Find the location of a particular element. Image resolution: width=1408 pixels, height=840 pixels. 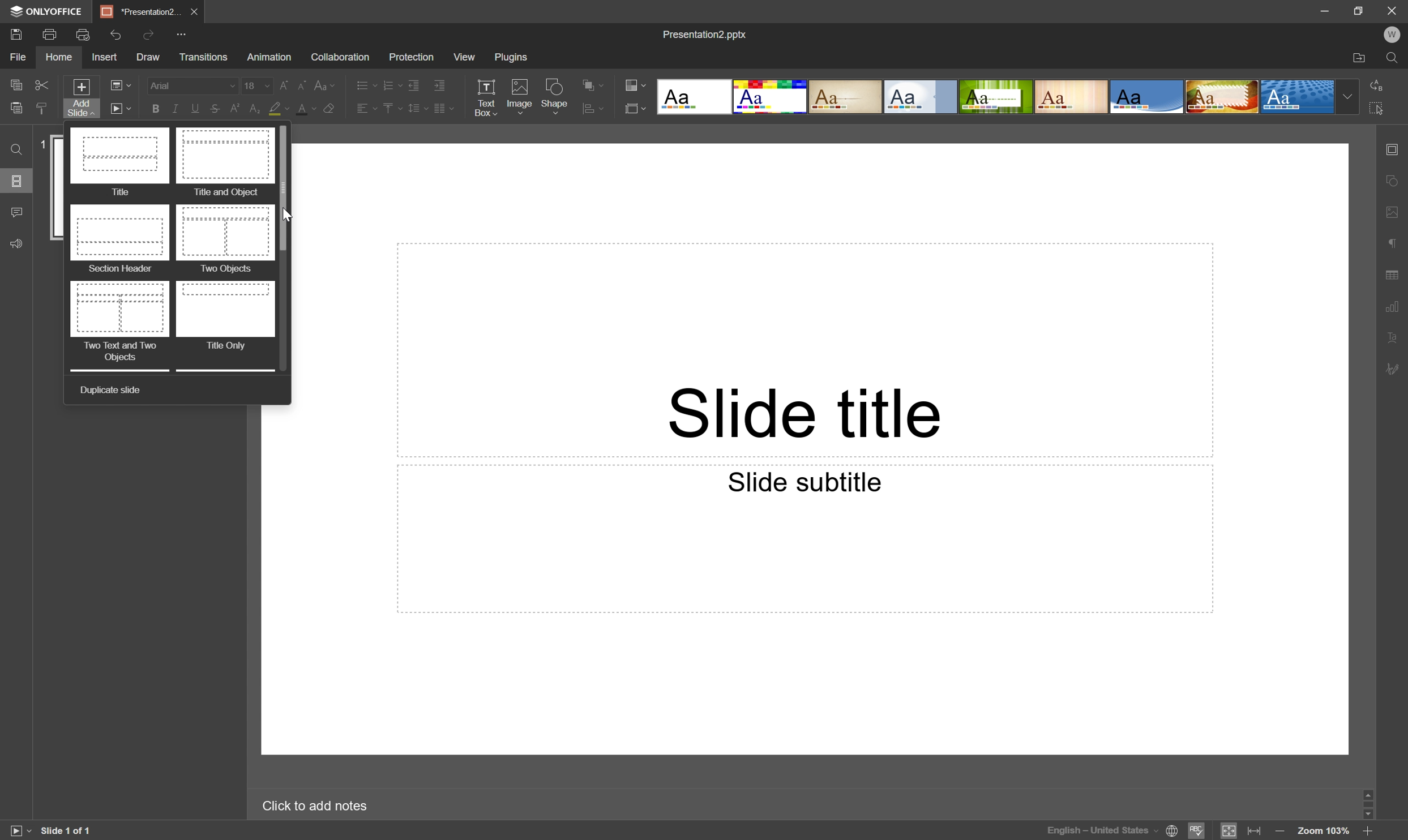

slide 1 is located at coordinates (58, 188).